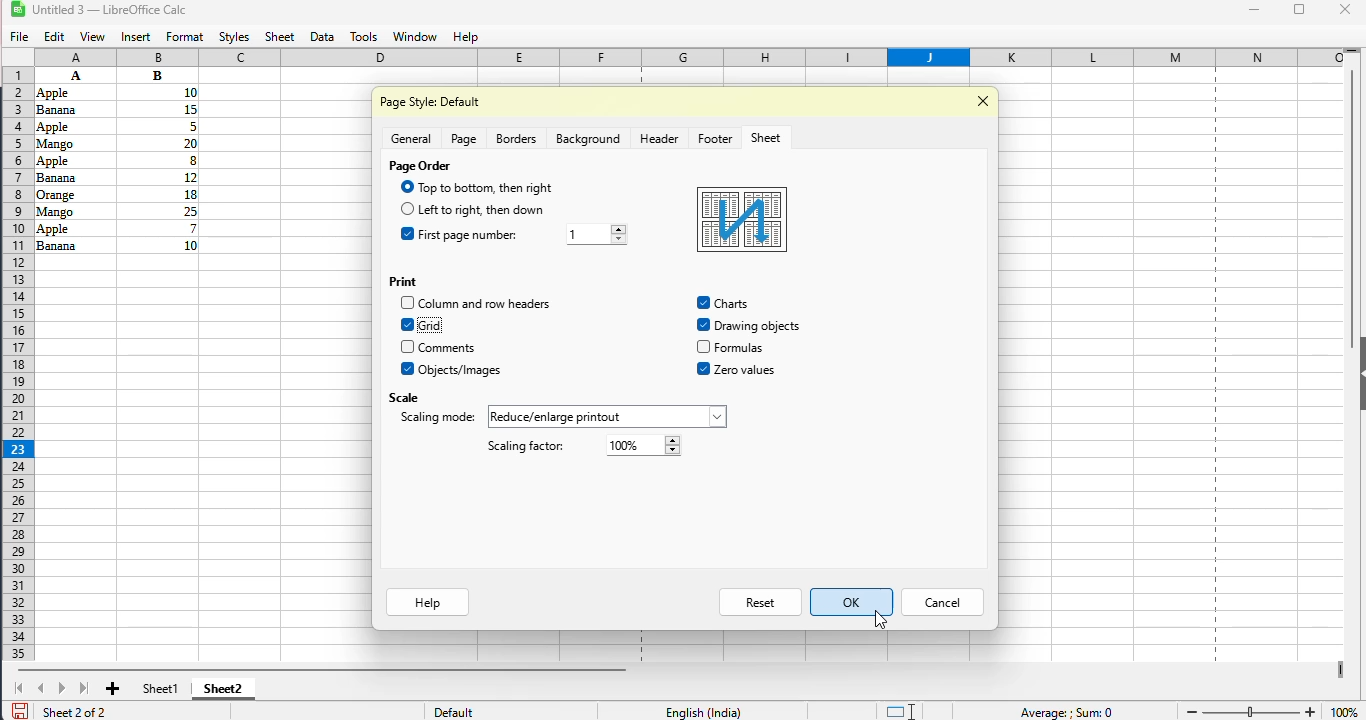 The height and width of the screenshot is (720, 1366). I want to click on minimize, so click(1254, 10).